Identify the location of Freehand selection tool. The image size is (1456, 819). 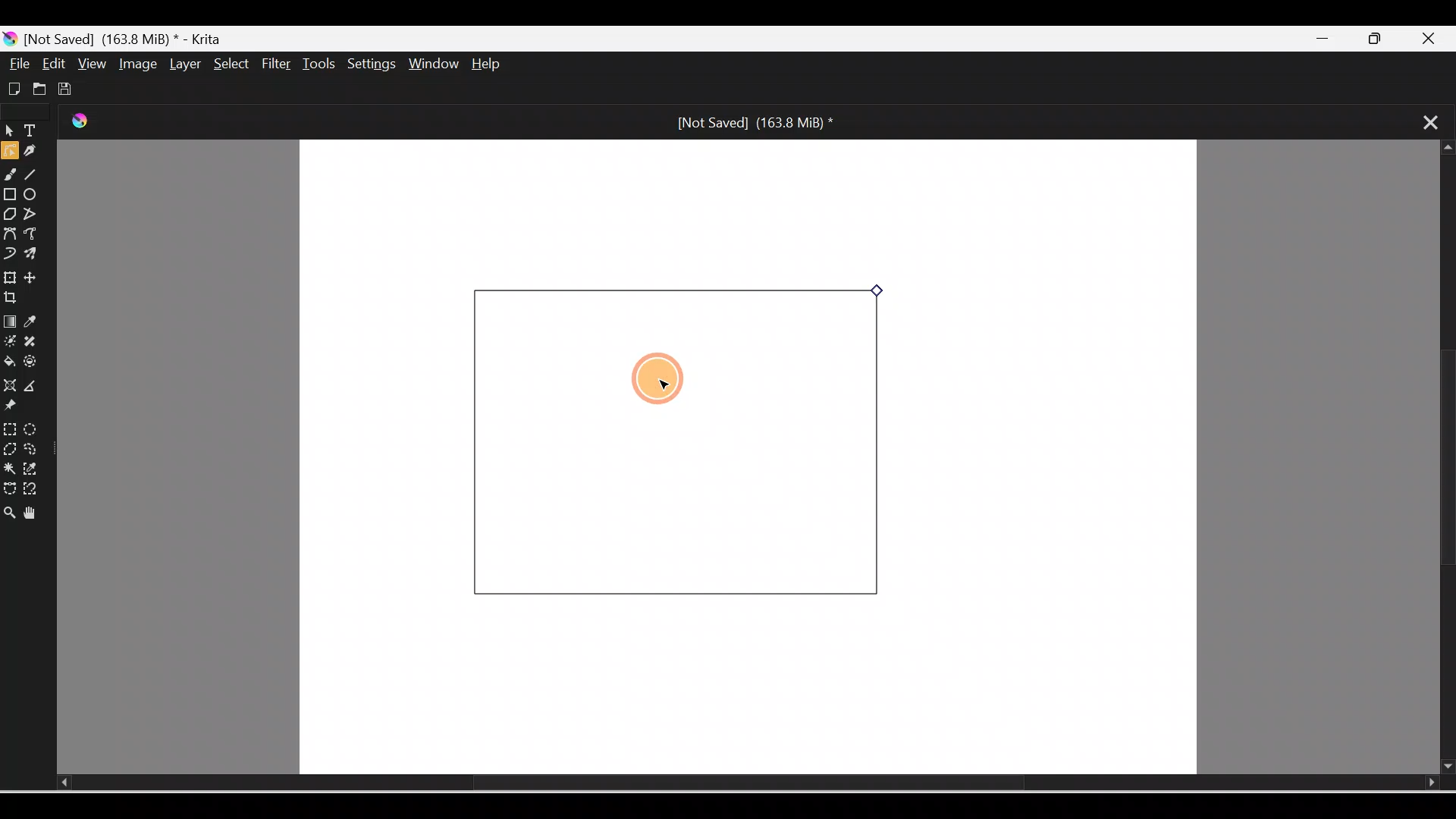
(35, 449).